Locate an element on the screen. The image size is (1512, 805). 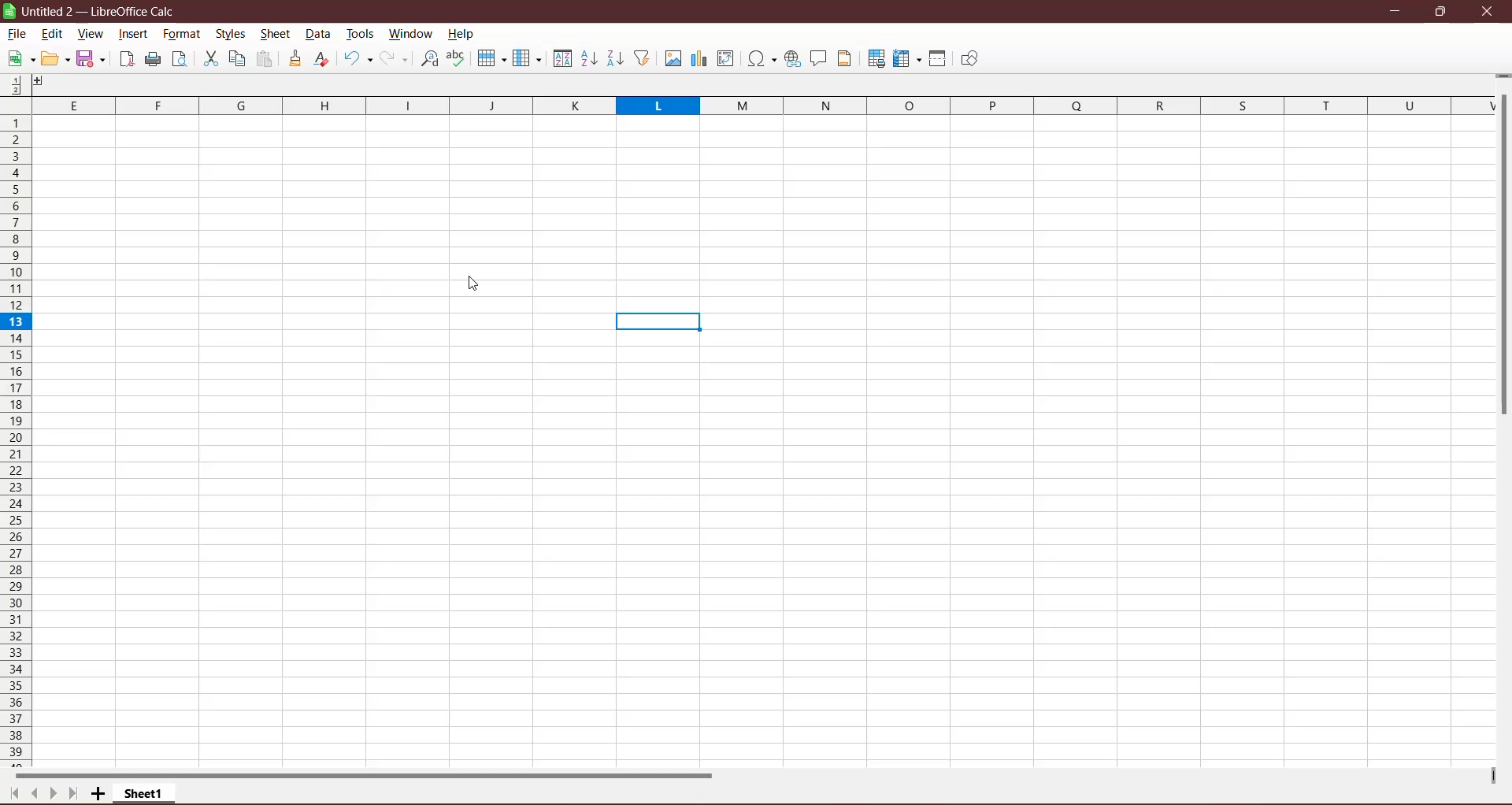
Find and Replace is located at coordinates (429, 58).